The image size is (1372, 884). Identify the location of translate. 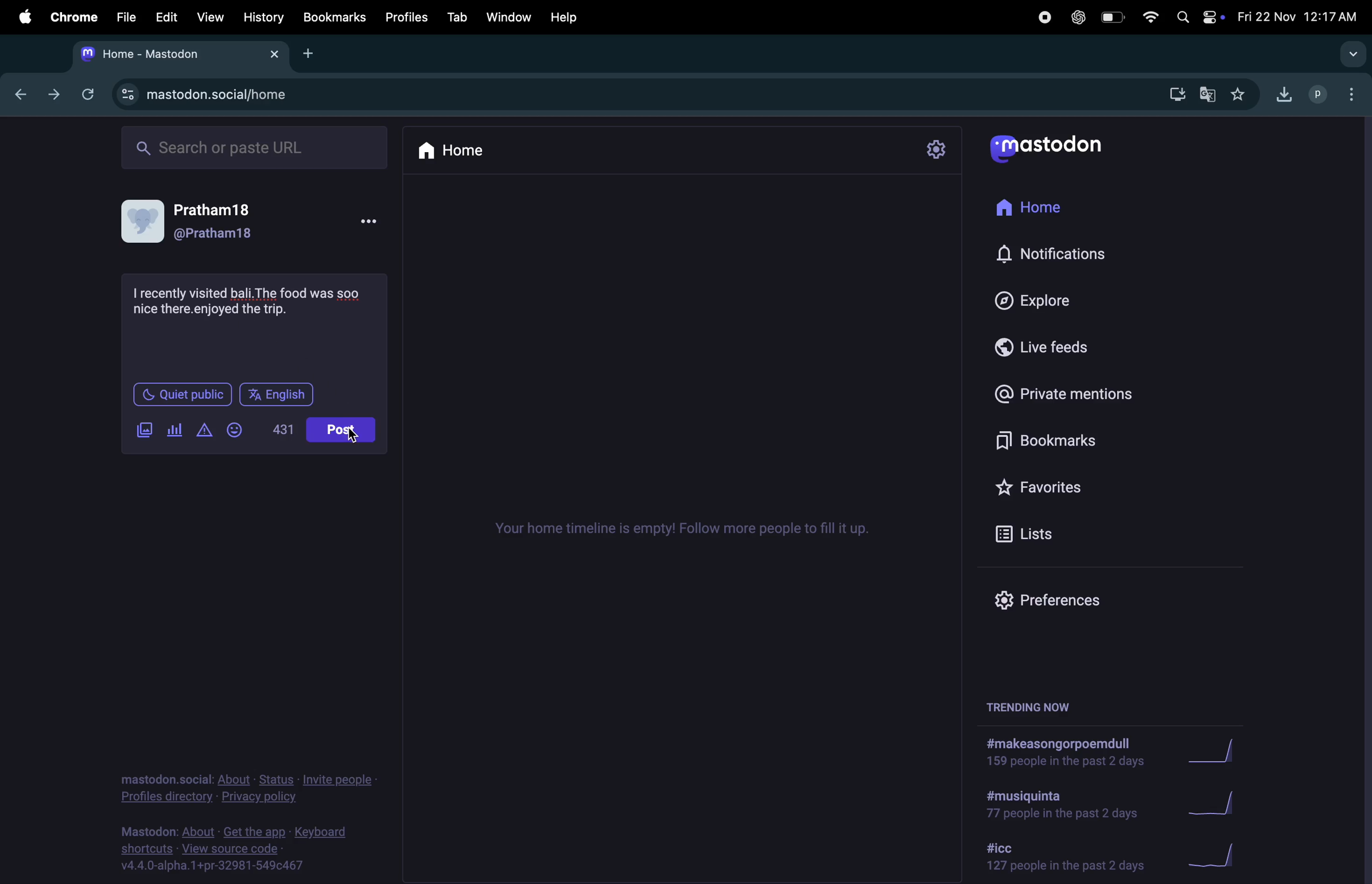
(1207, 95).